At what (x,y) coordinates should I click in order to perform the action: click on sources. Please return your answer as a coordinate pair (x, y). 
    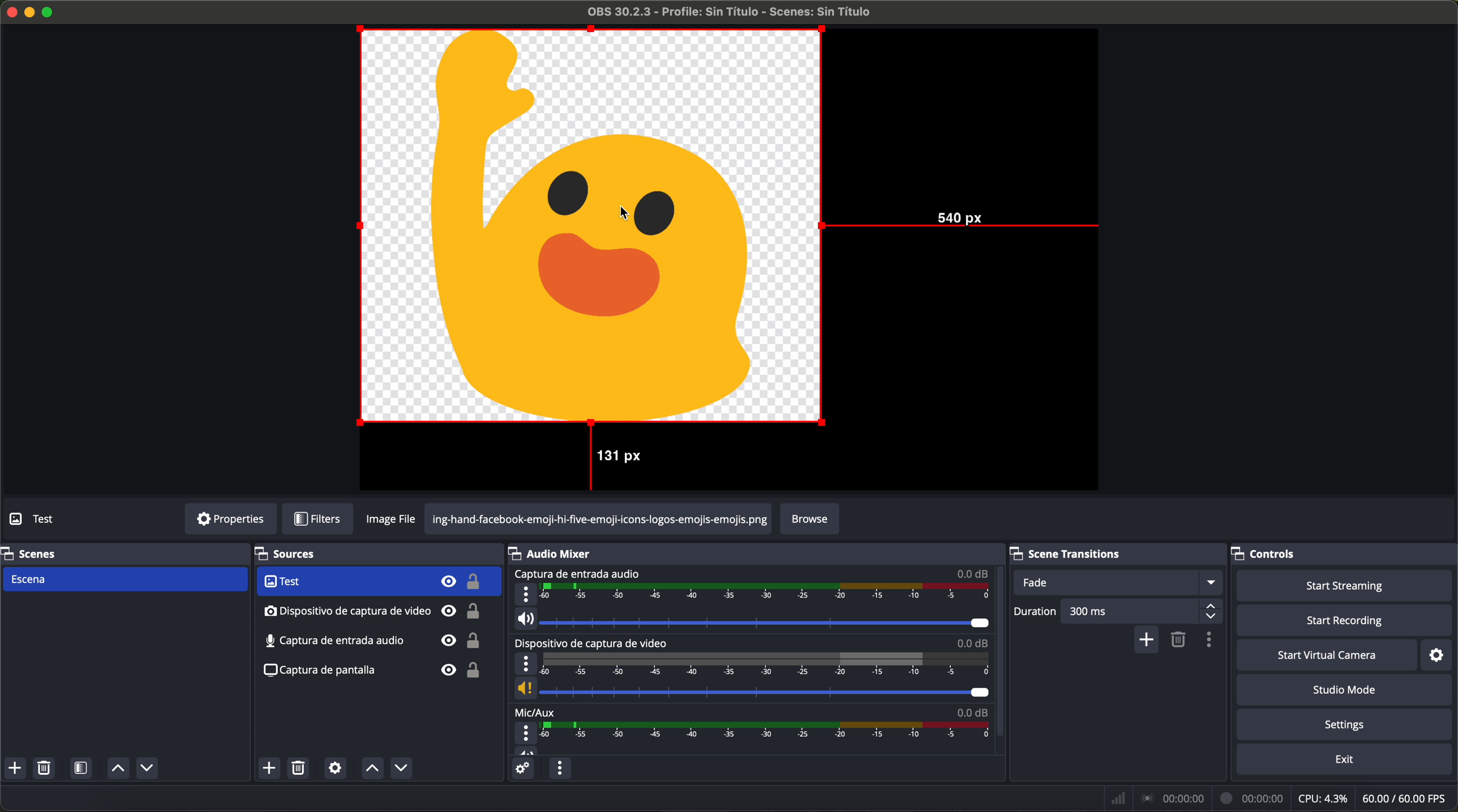
    Looking at the image, I should click on (300, 555).